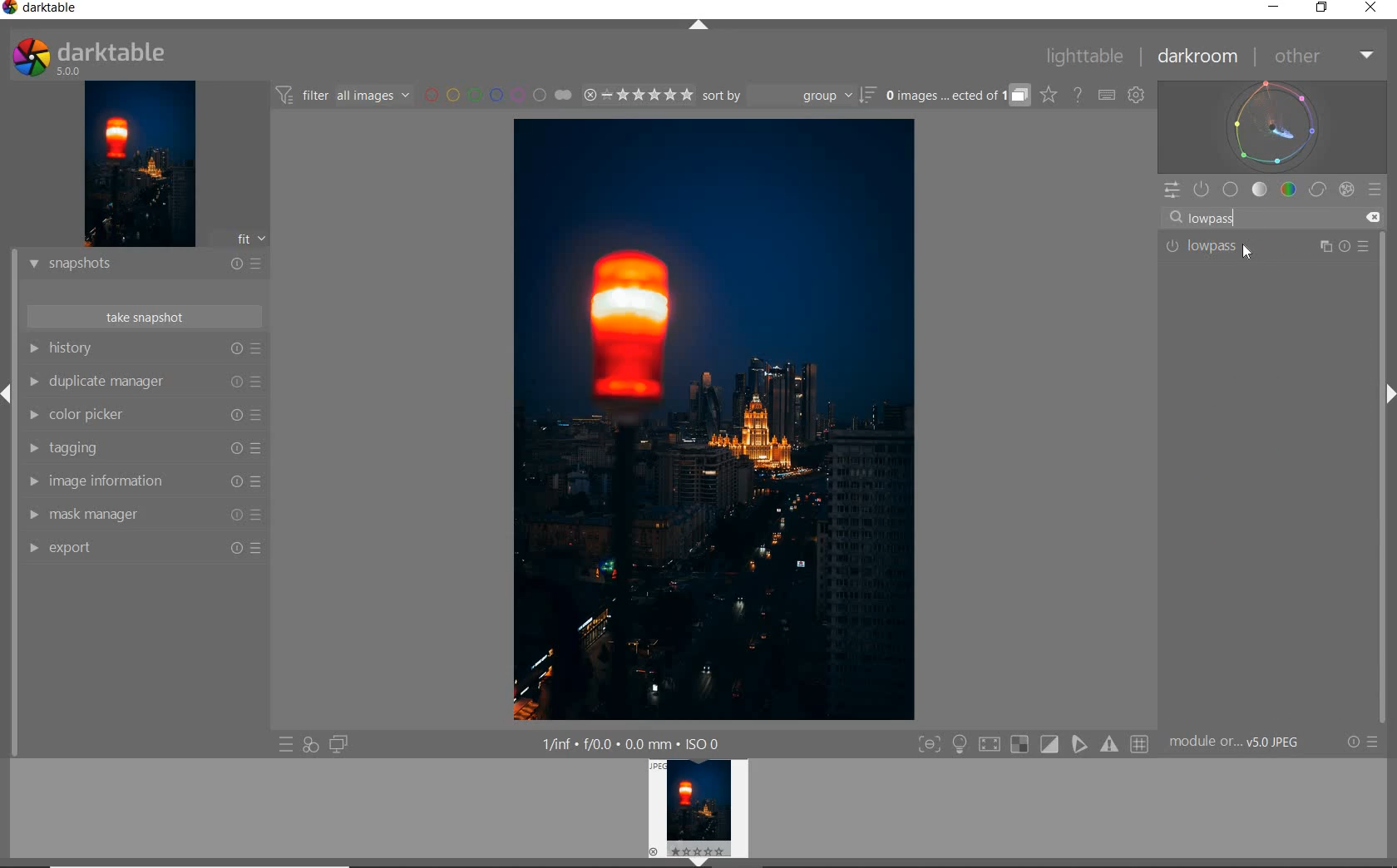 This screenshot has height=868, width=1397. Describe the element at coordinates (234, 547) in the screenshot. I see `Reset` at that location.